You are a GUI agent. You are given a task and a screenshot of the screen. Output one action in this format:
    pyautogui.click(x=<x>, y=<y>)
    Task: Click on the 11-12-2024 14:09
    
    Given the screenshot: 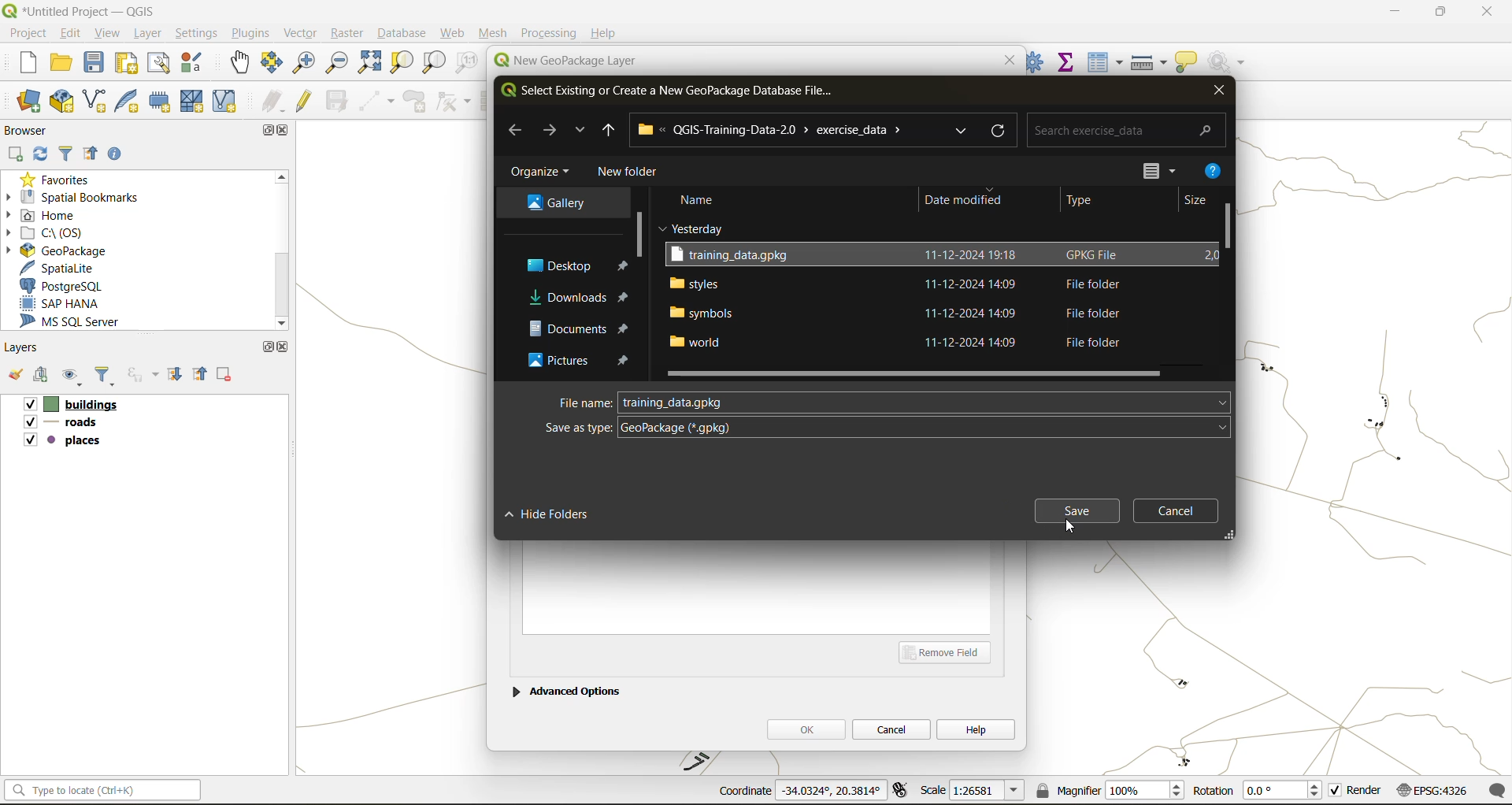 What is the action you would take?
    pyautogui.click(x=975, y=343)
    